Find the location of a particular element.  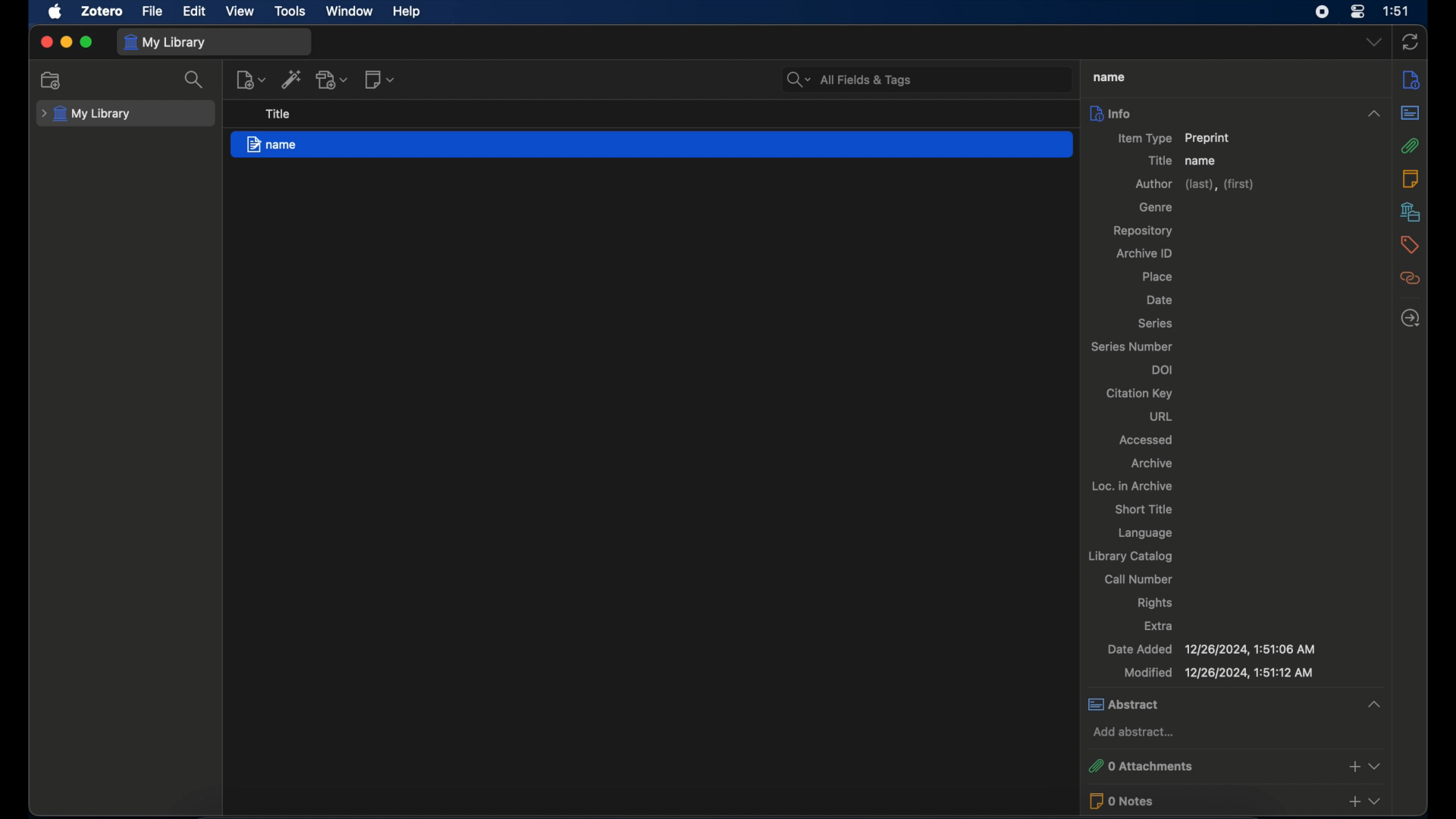

repository is located at coordinates (1146, 231).